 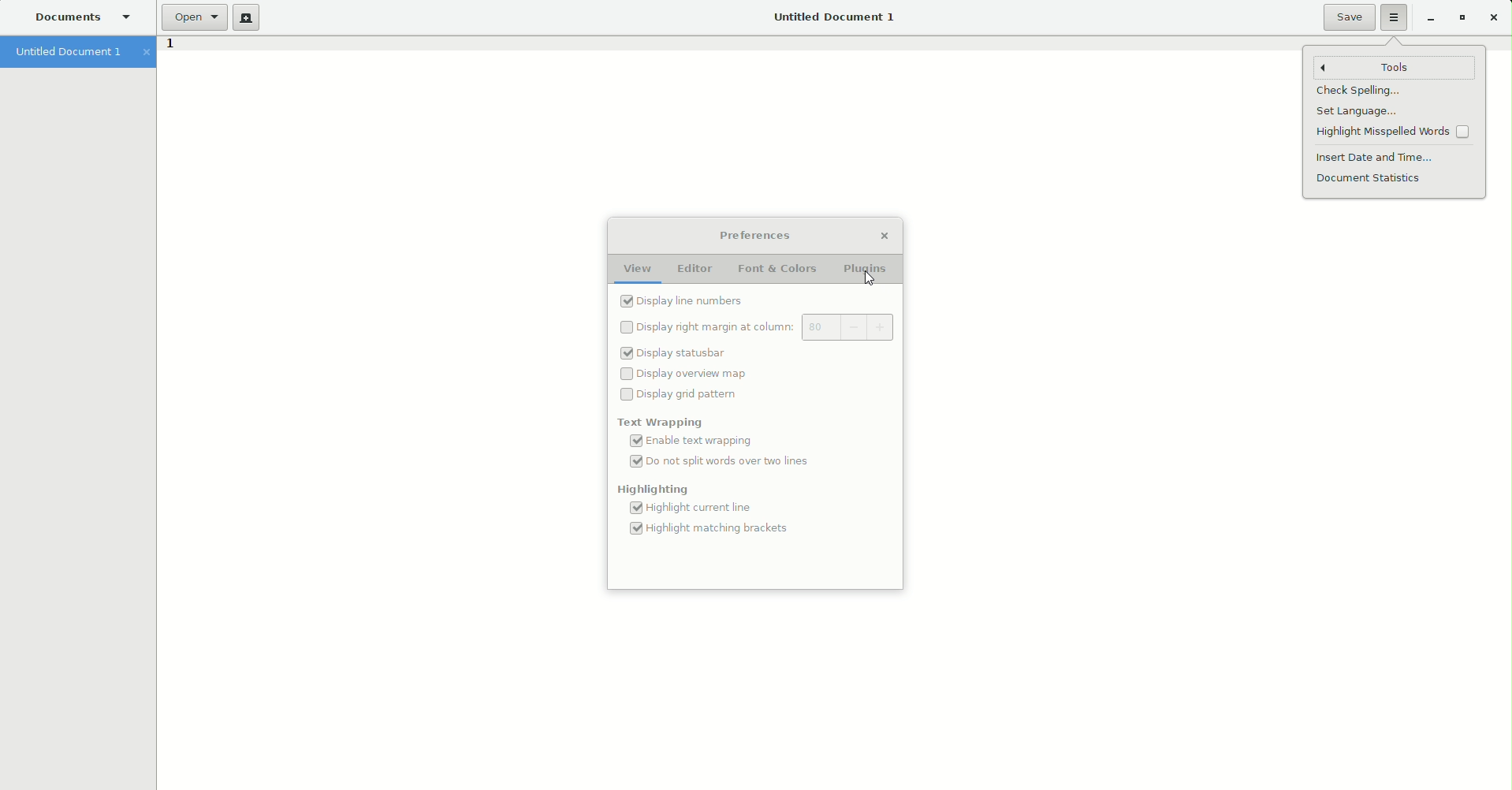 What do you see at coordinates (726, 465) in the screenshot?
I see `Do no split words over two lines` at bounding box center [726, 465].